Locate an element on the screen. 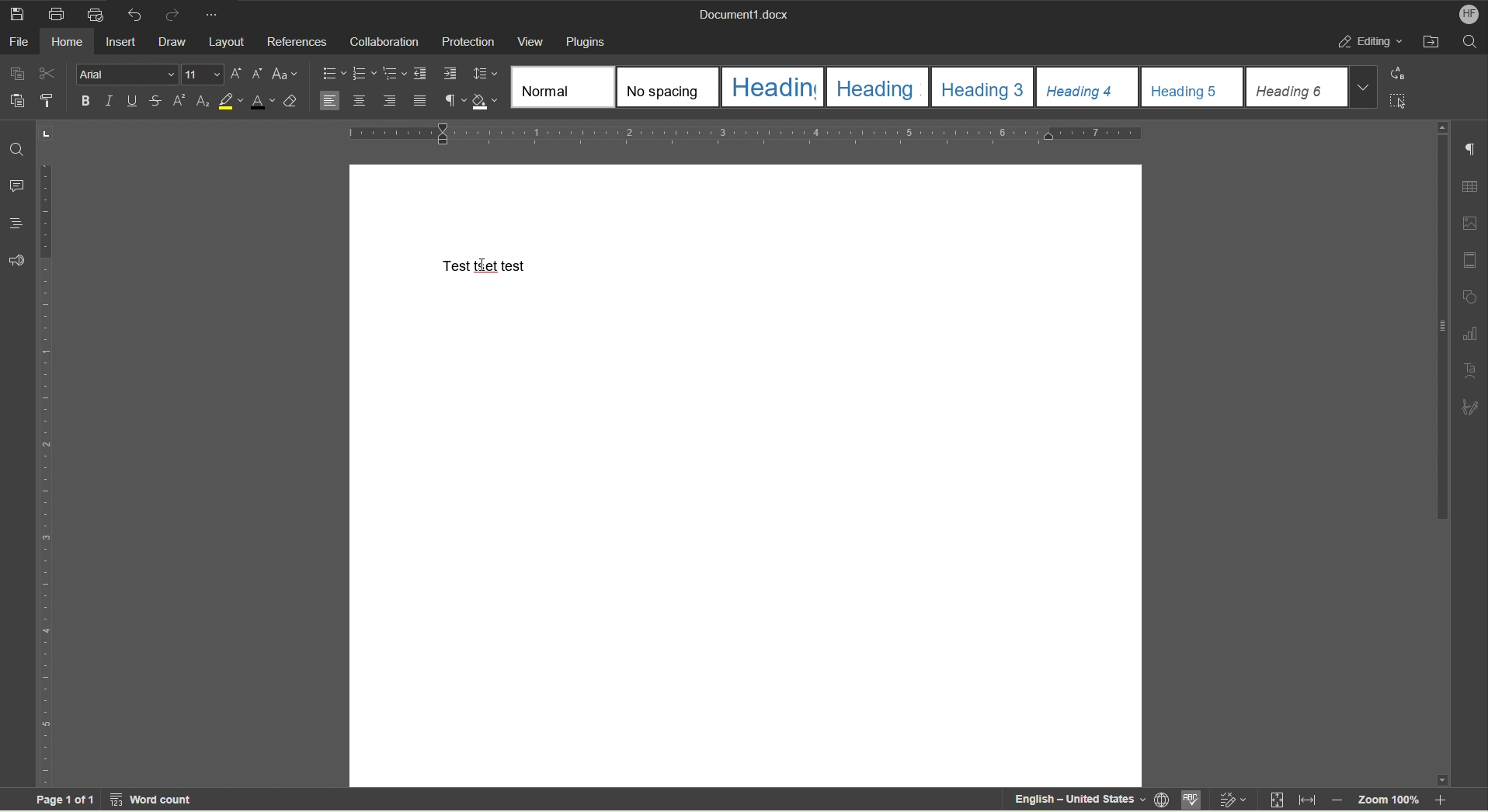 The height and width of the screenshot is (812, 1488). Heading 1 is located at coordinates (774, 87).